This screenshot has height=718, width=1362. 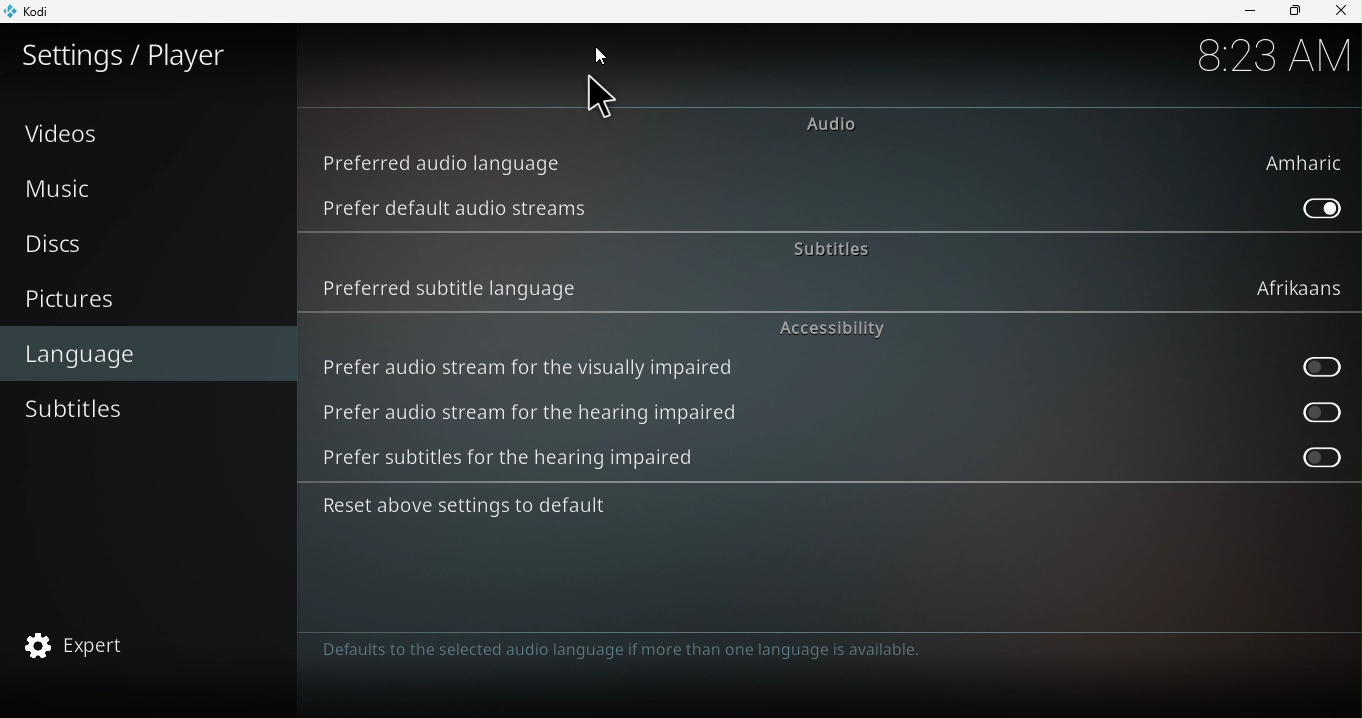 I want to click on Preferred subtitle language, so click(x=824, y=288).